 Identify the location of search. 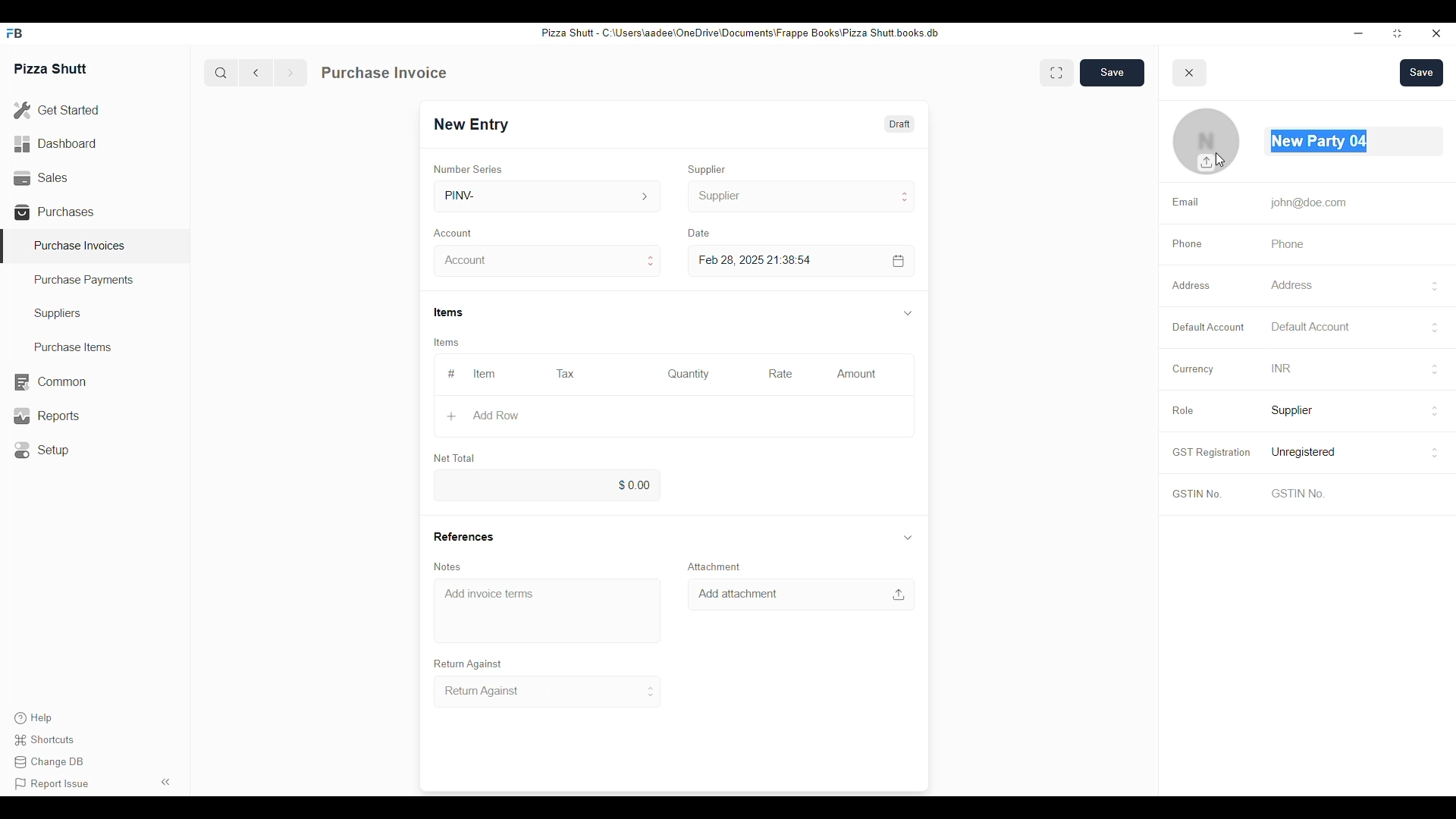
(221, 73).